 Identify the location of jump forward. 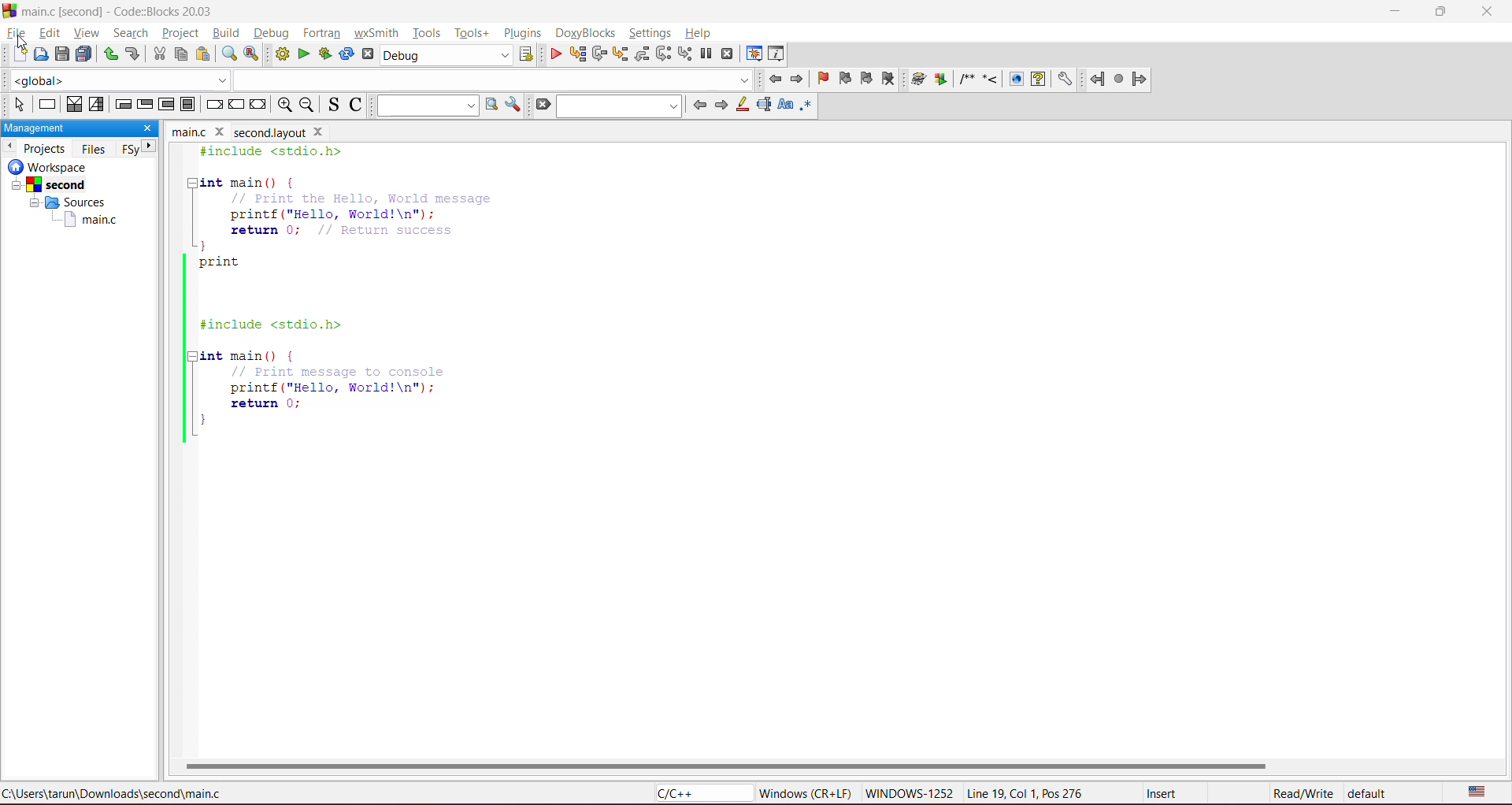
(799, 80).